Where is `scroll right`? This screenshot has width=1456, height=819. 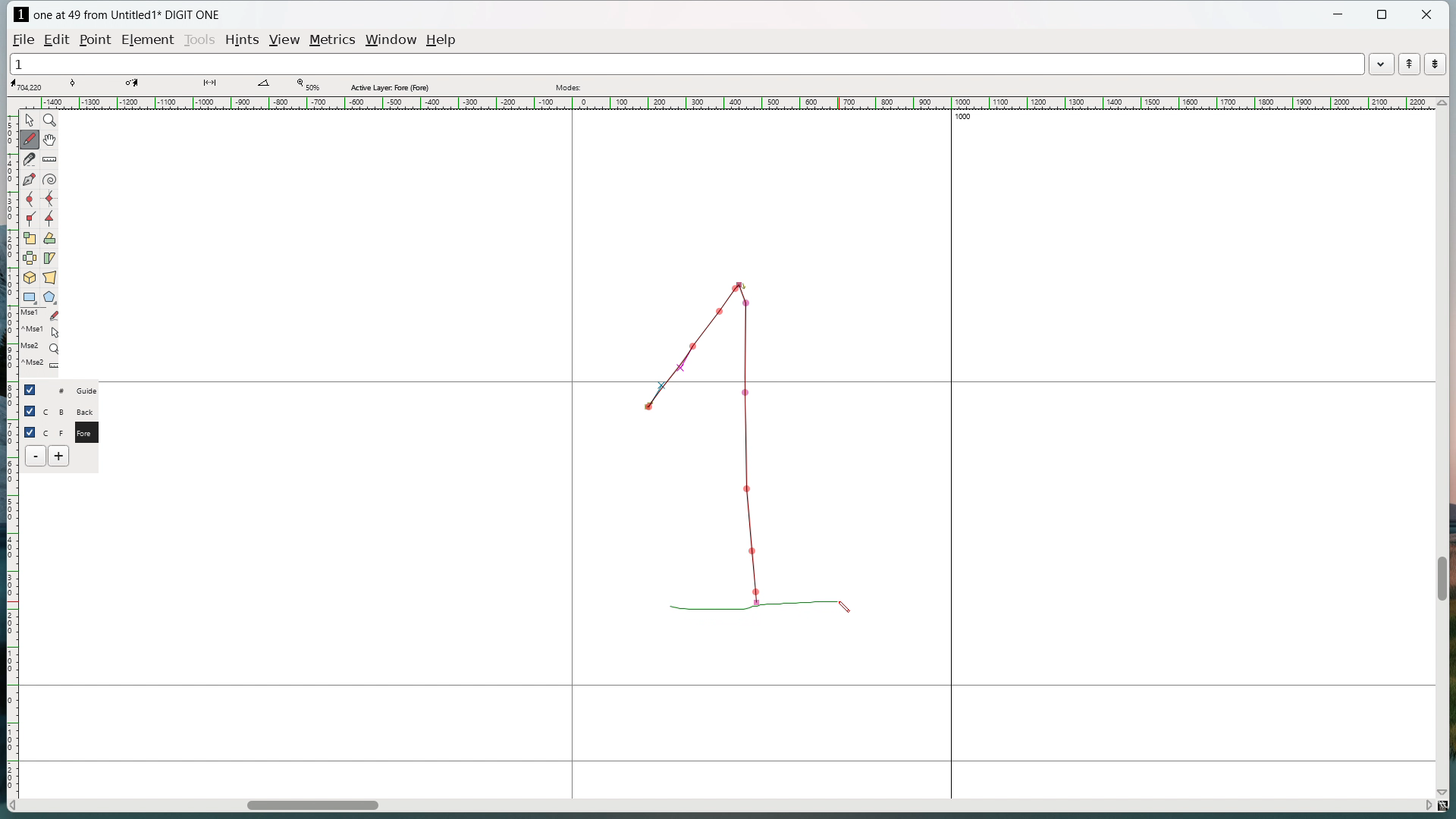 scroll right is located at coordinates (1426, 804).